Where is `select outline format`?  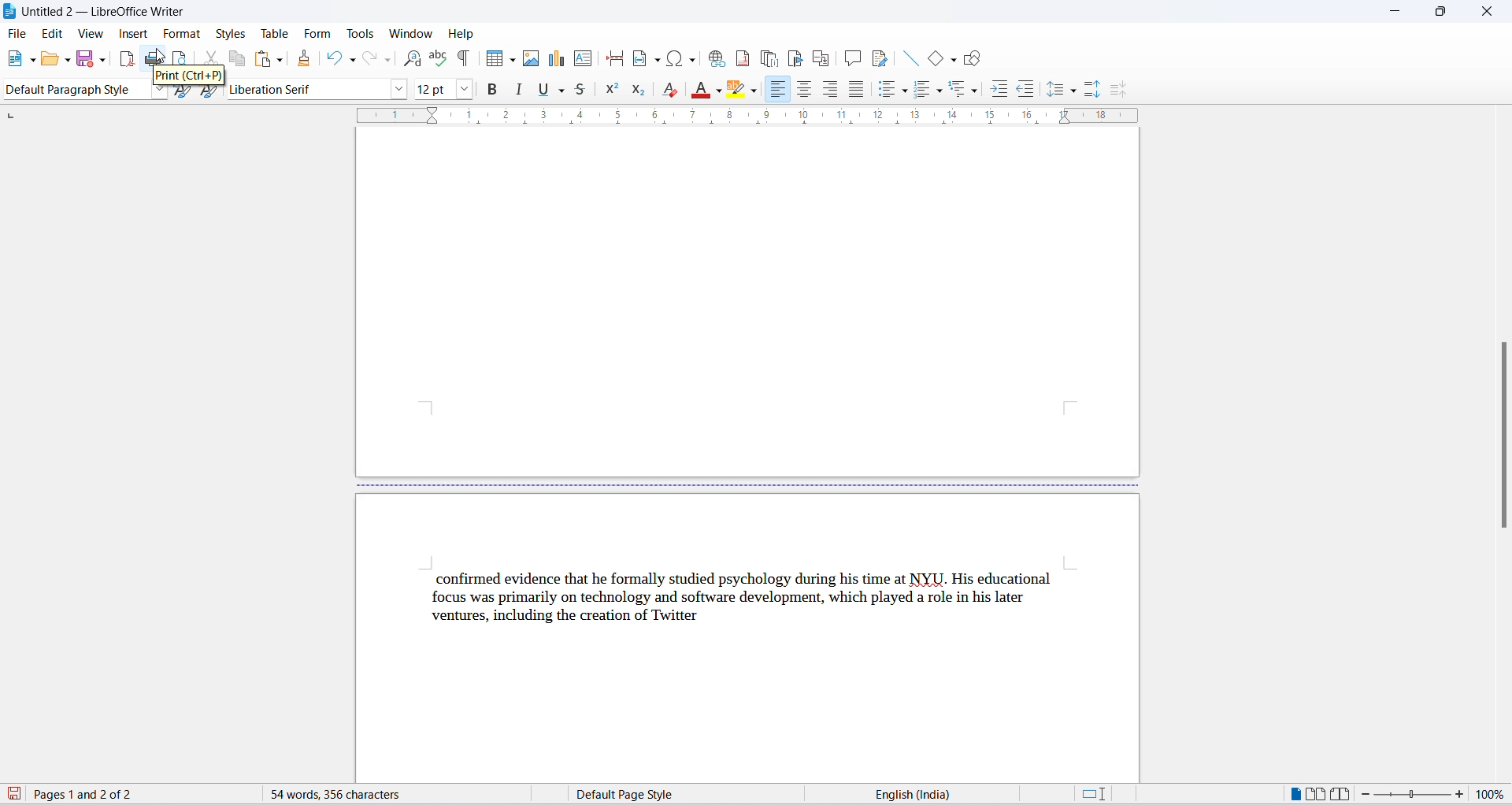
select outline format is located at coordinates (961, 93).